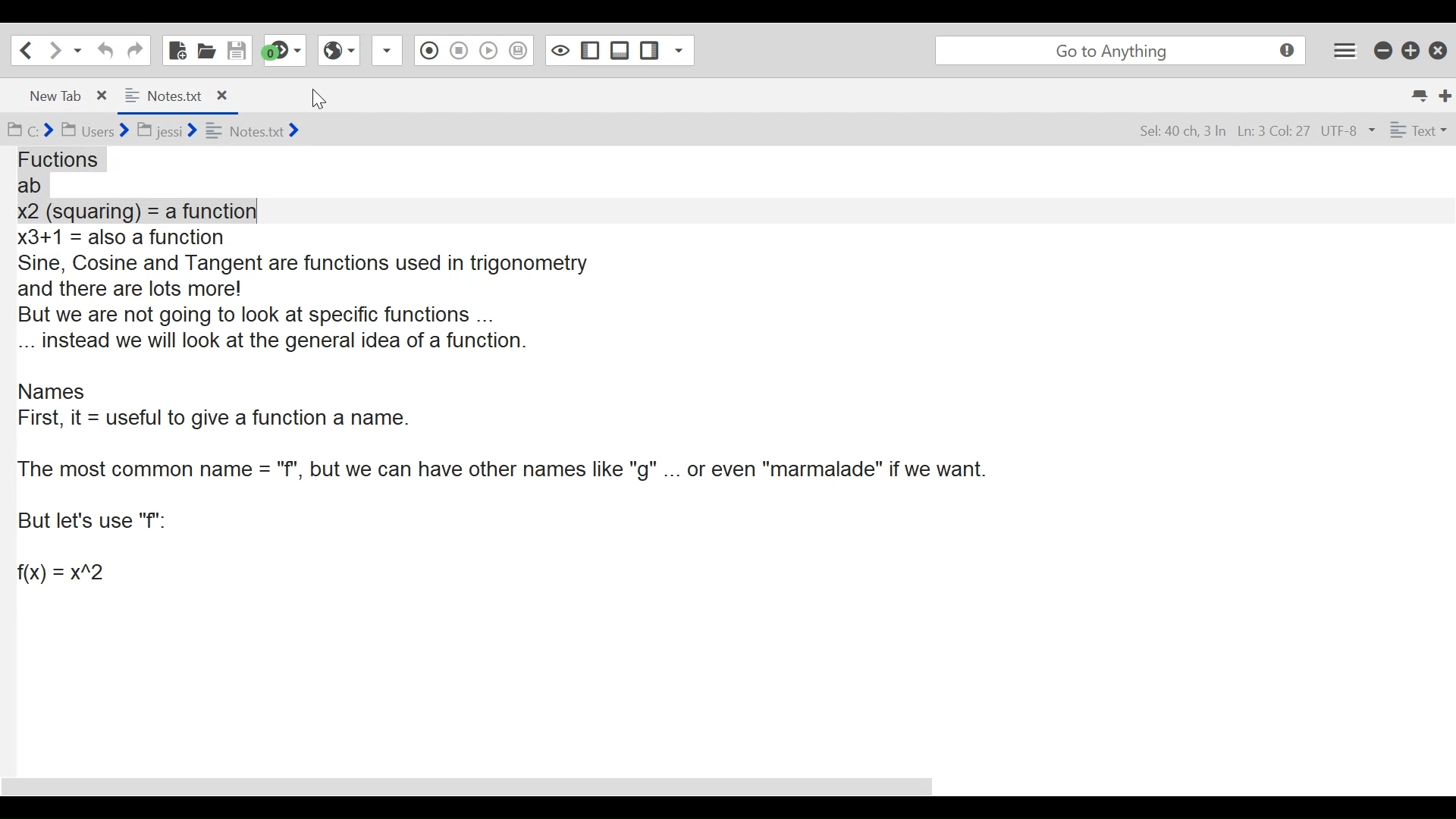 This screenshot has height=819, width=1456. Describe the element at coordinates (1418, 130) in the screenshot. I see `text` at that location.